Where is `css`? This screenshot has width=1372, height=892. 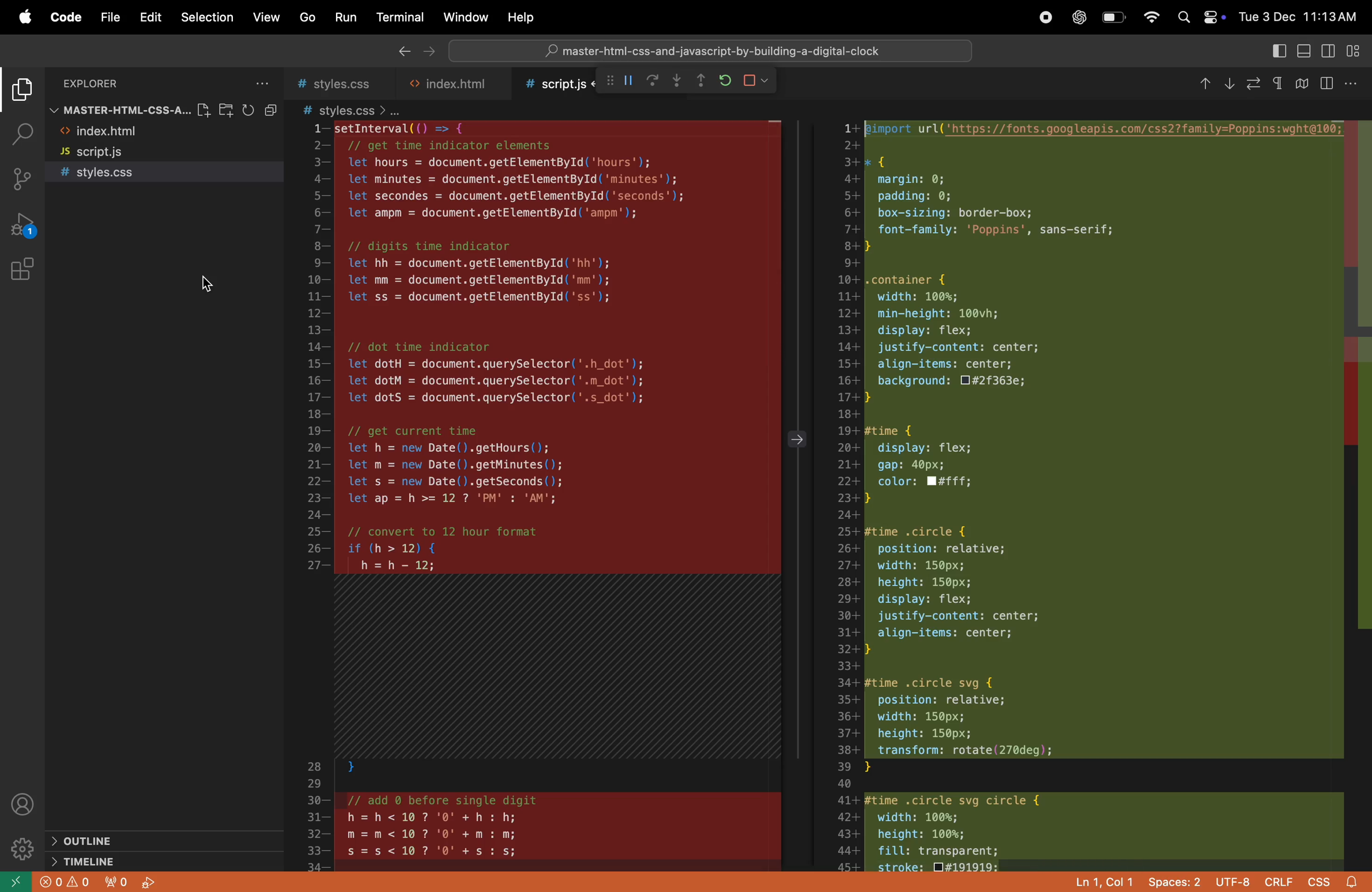
css is located at coordinates (1318, 883).